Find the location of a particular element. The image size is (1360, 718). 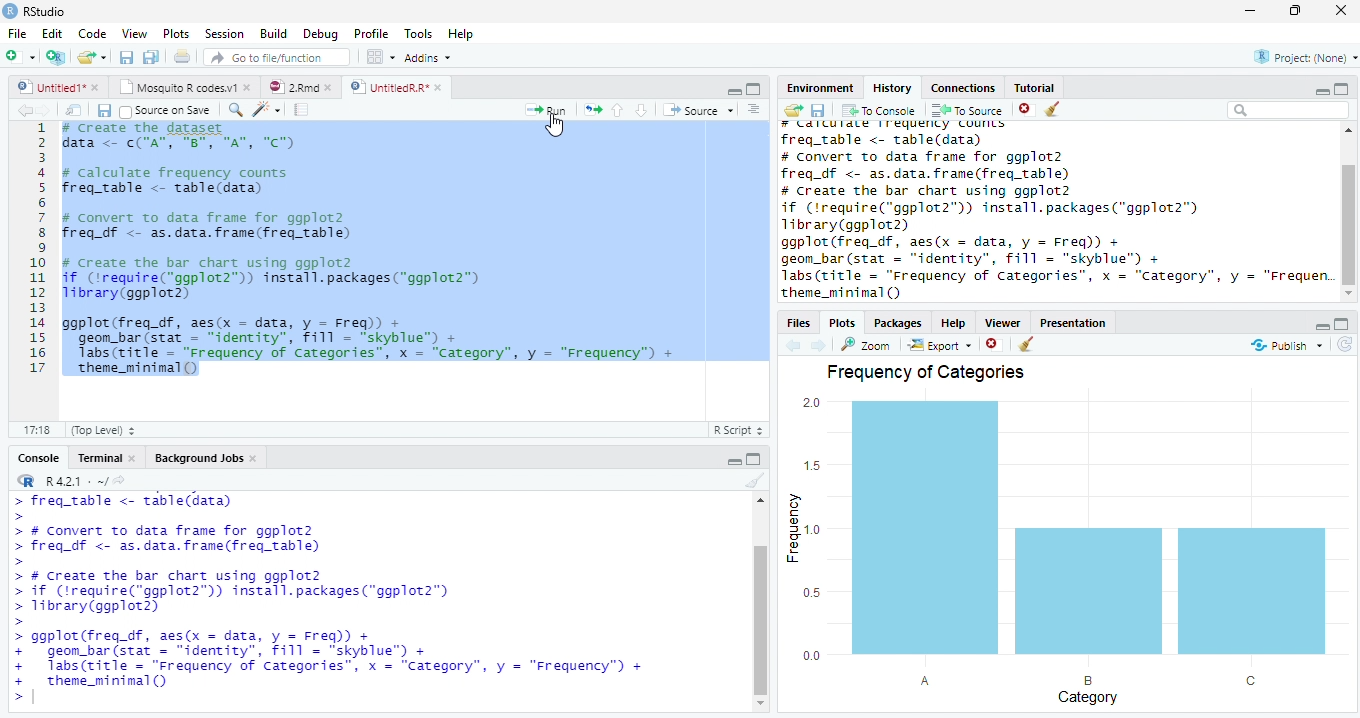

Connections is located at coordinates (961, 88).